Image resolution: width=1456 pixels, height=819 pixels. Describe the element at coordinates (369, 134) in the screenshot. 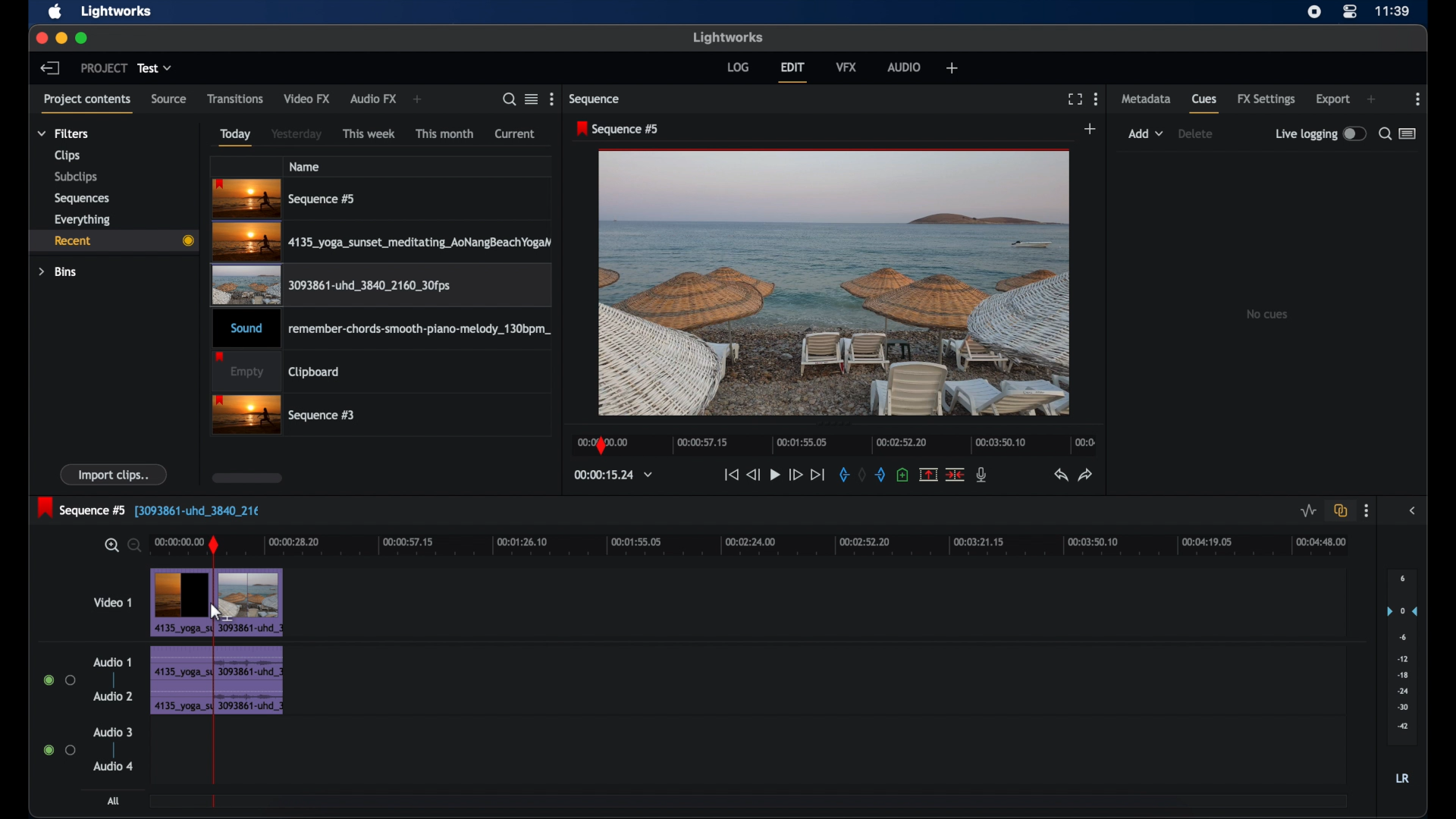

I see `this week` at that location.